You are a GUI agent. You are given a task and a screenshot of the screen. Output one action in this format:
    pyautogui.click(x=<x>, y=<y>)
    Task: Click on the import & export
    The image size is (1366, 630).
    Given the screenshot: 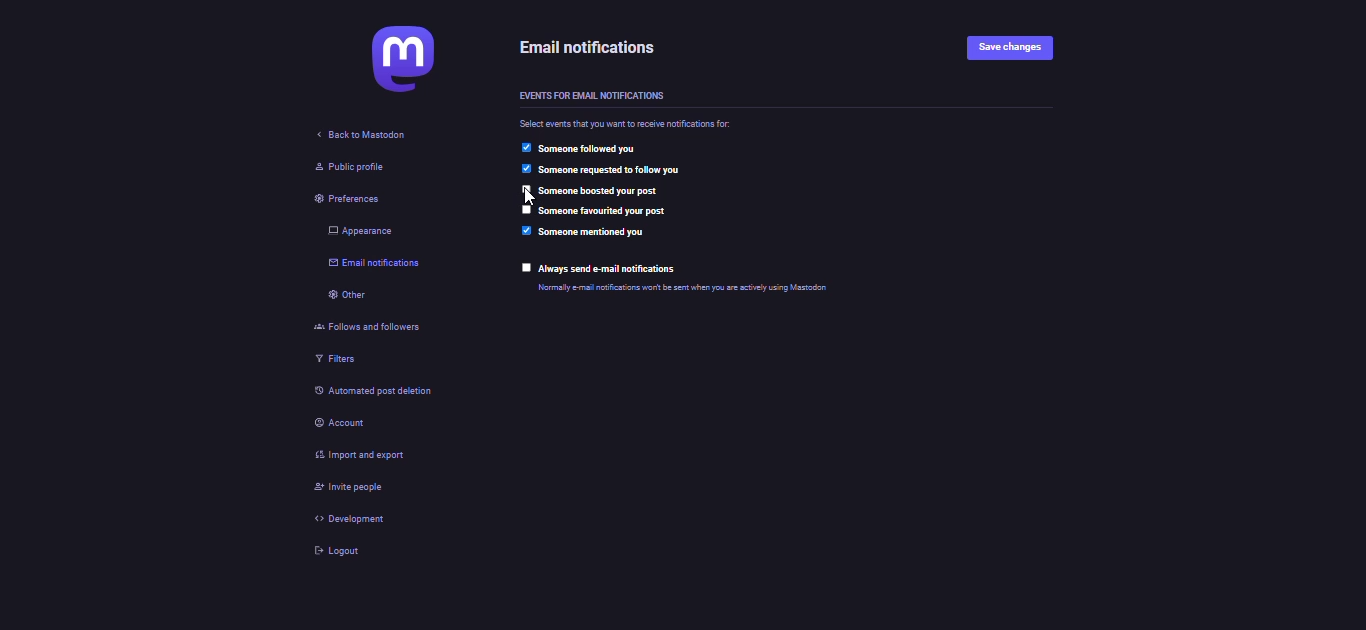 What is the action you would take?
    pyautogui.click(x=363, y=455)
    